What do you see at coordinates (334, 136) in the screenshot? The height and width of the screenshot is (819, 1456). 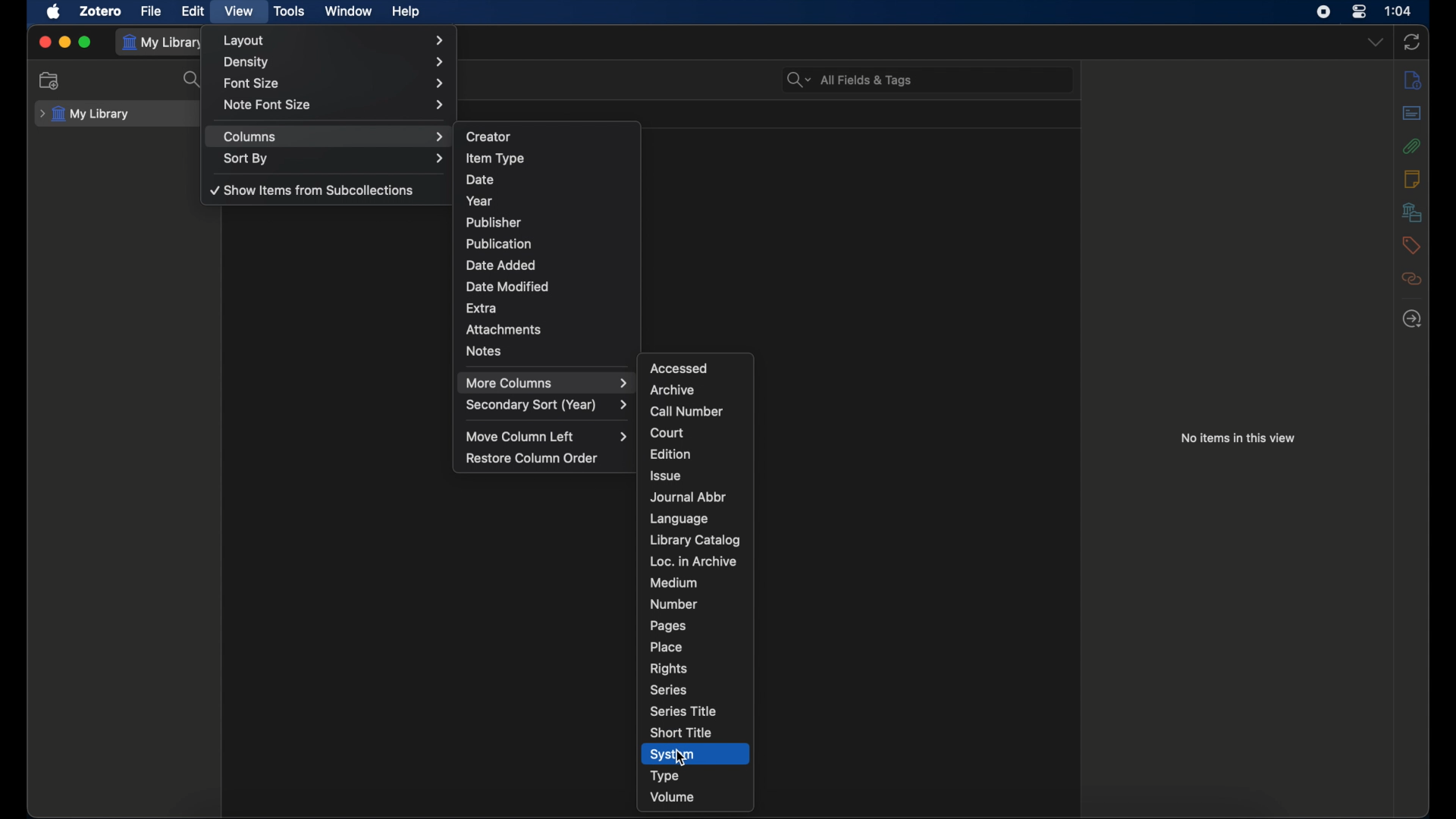 I see `columns` at bounding box center [334, 136].